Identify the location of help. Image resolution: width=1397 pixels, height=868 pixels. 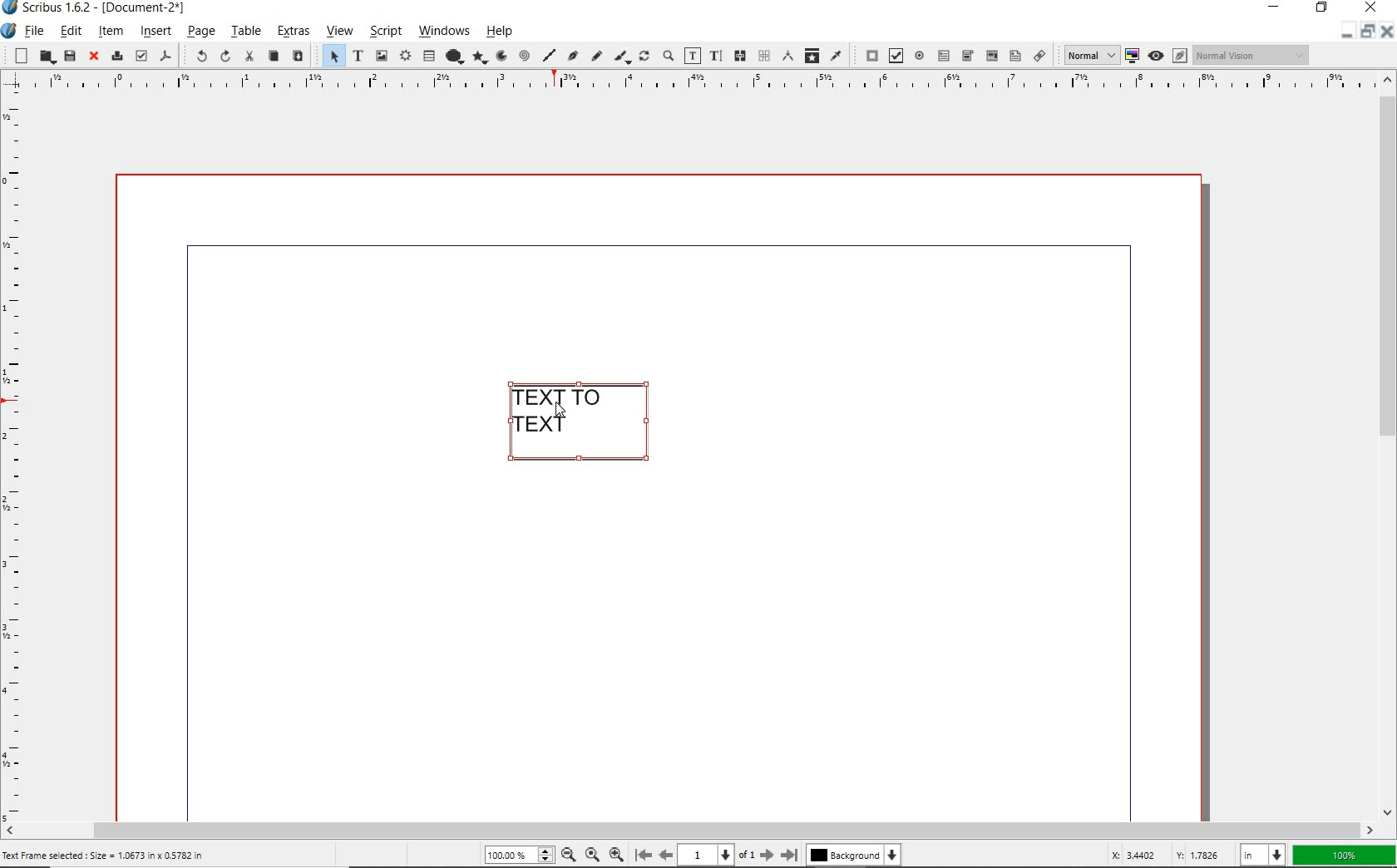
(499, 33).